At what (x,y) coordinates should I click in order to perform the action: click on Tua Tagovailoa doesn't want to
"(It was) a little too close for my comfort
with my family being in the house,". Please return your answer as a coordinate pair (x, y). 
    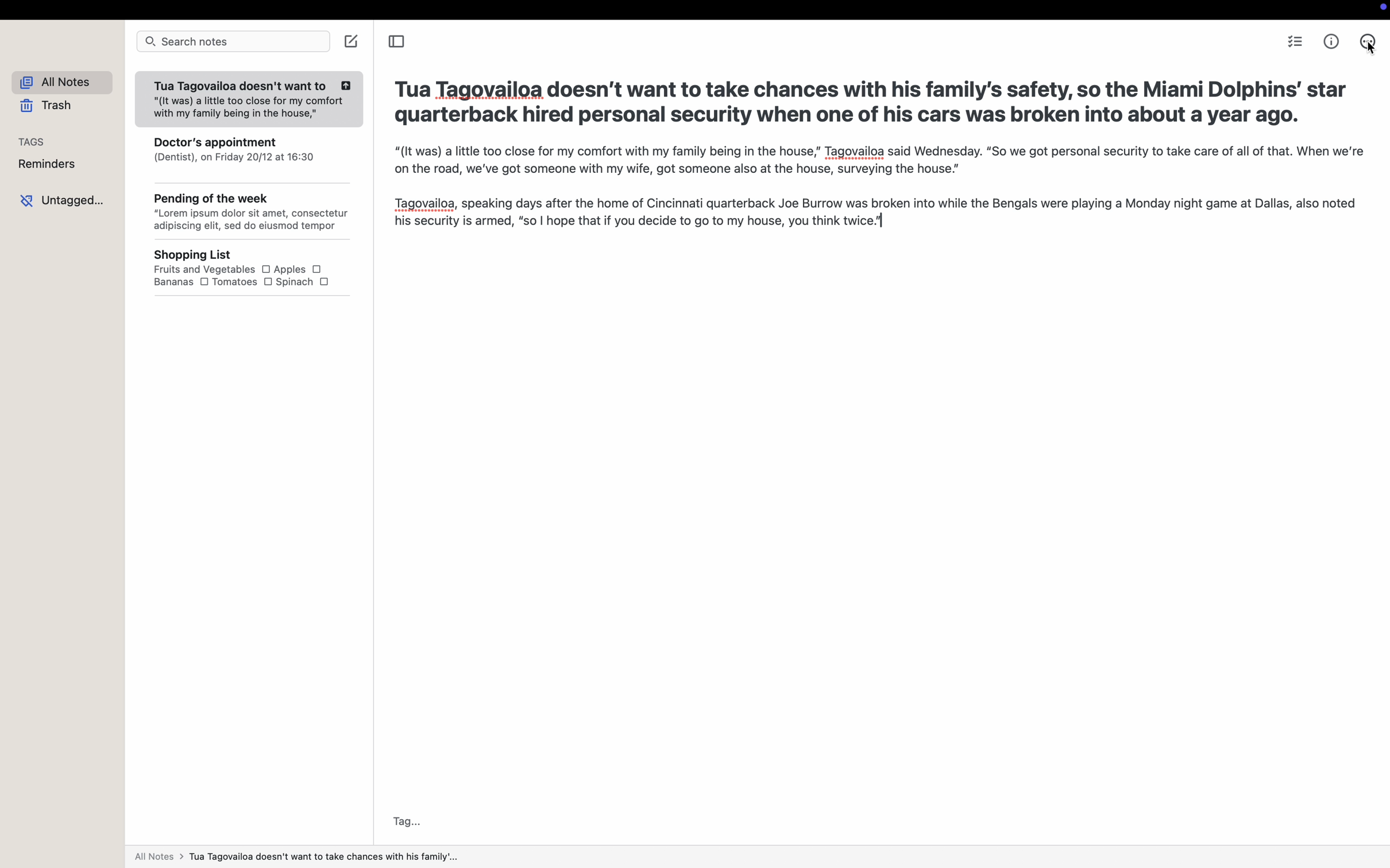
    Looking at the image, I should click on (250, 95).